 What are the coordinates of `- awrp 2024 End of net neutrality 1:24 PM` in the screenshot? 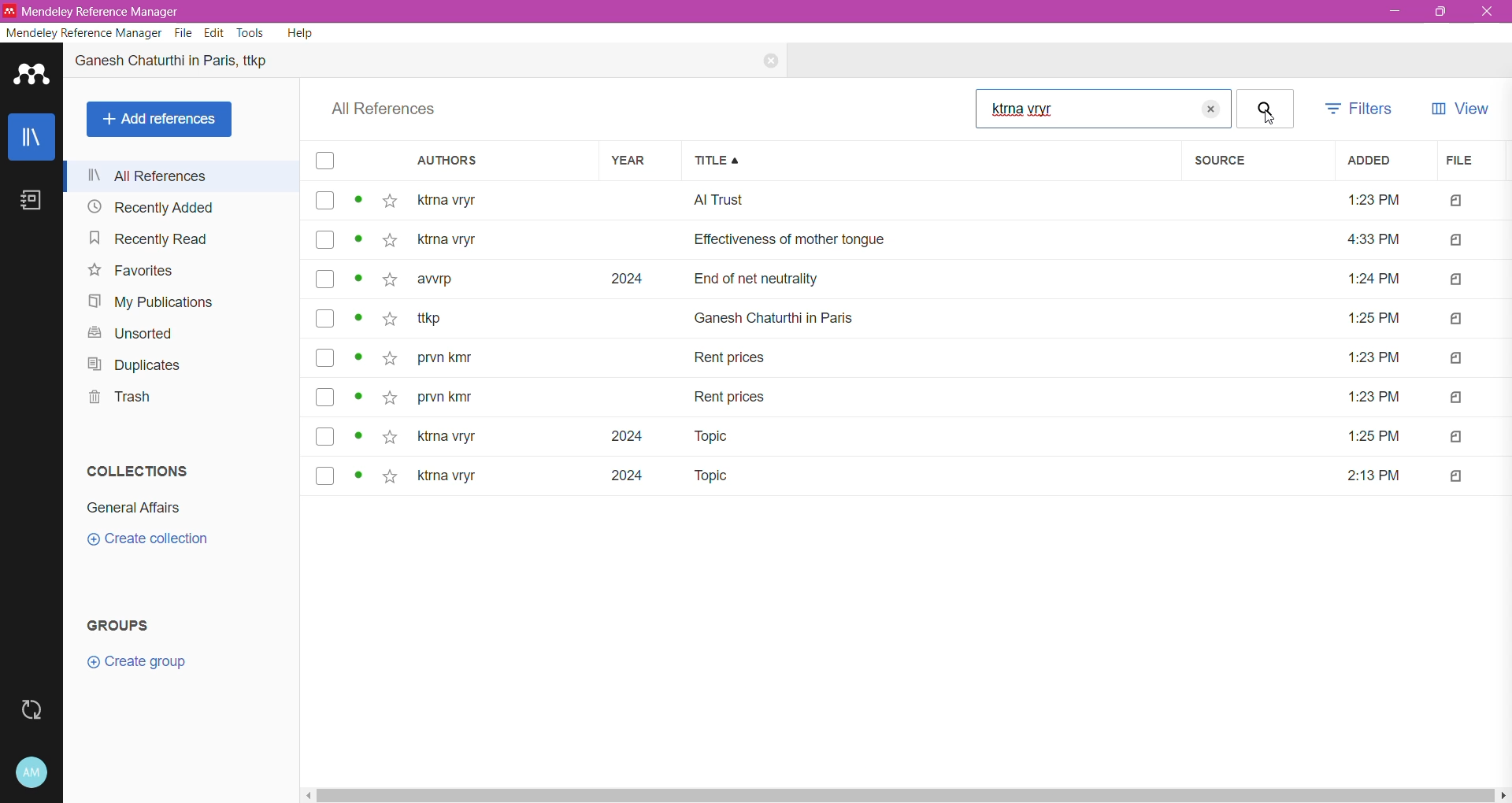 It's located at (911, 278).